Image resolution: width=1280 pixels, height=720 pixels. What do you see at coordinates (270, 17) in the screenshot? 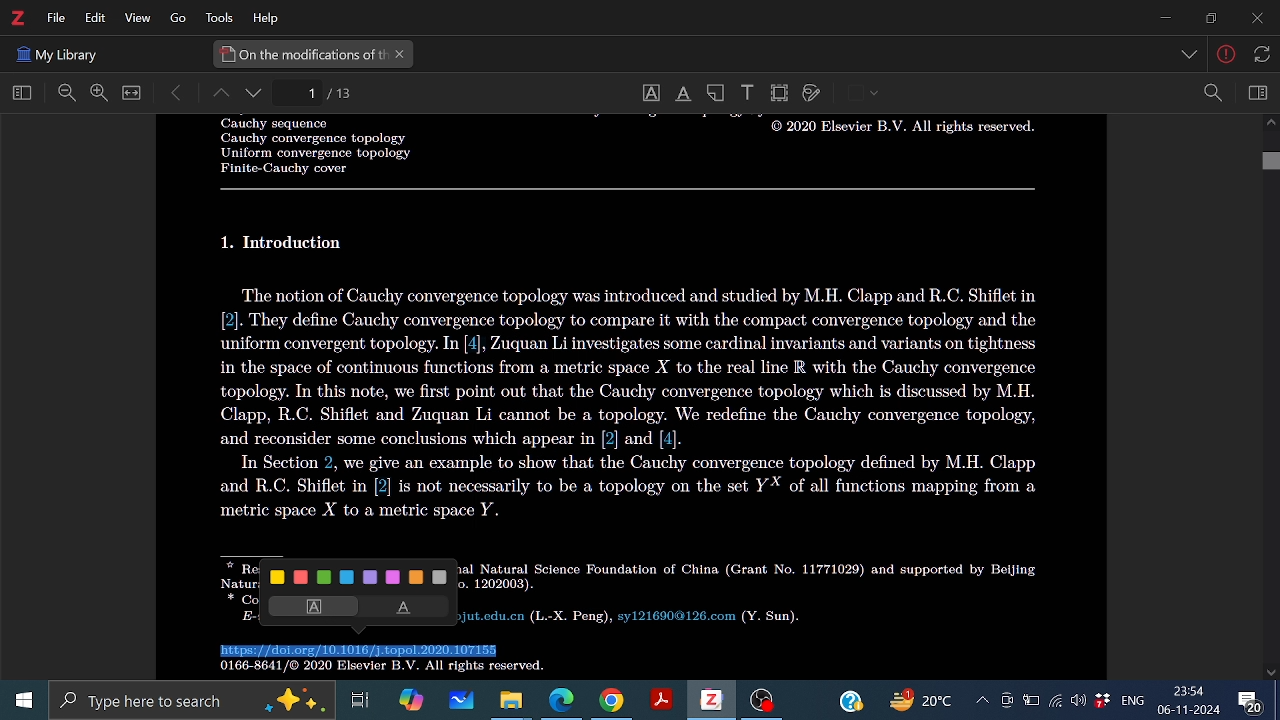
I see `HElp` at bounding box center [270, 17].